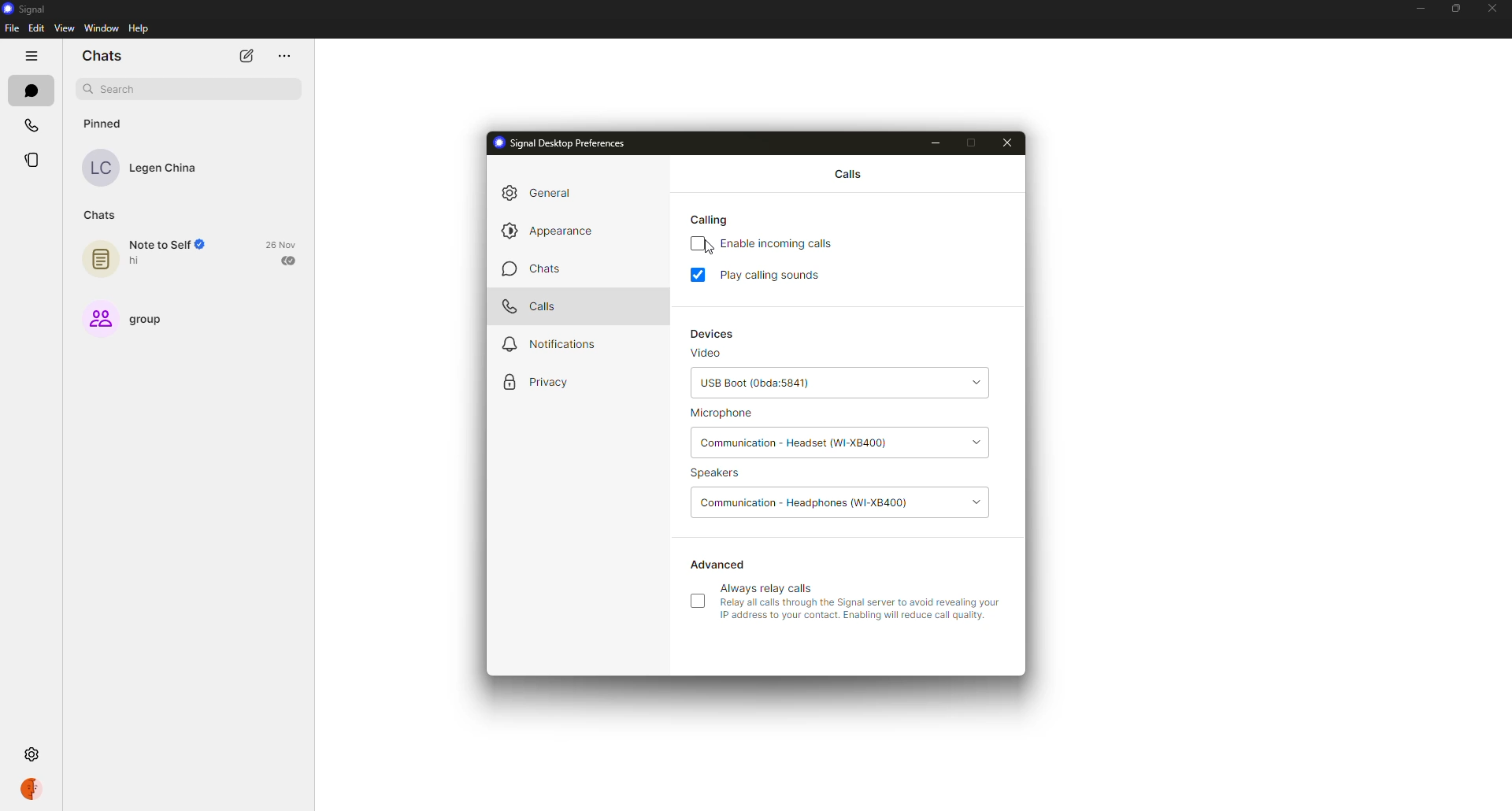 The height and width of the screenshot is (811, 1512). I want to click on sent, so click(287, 261).